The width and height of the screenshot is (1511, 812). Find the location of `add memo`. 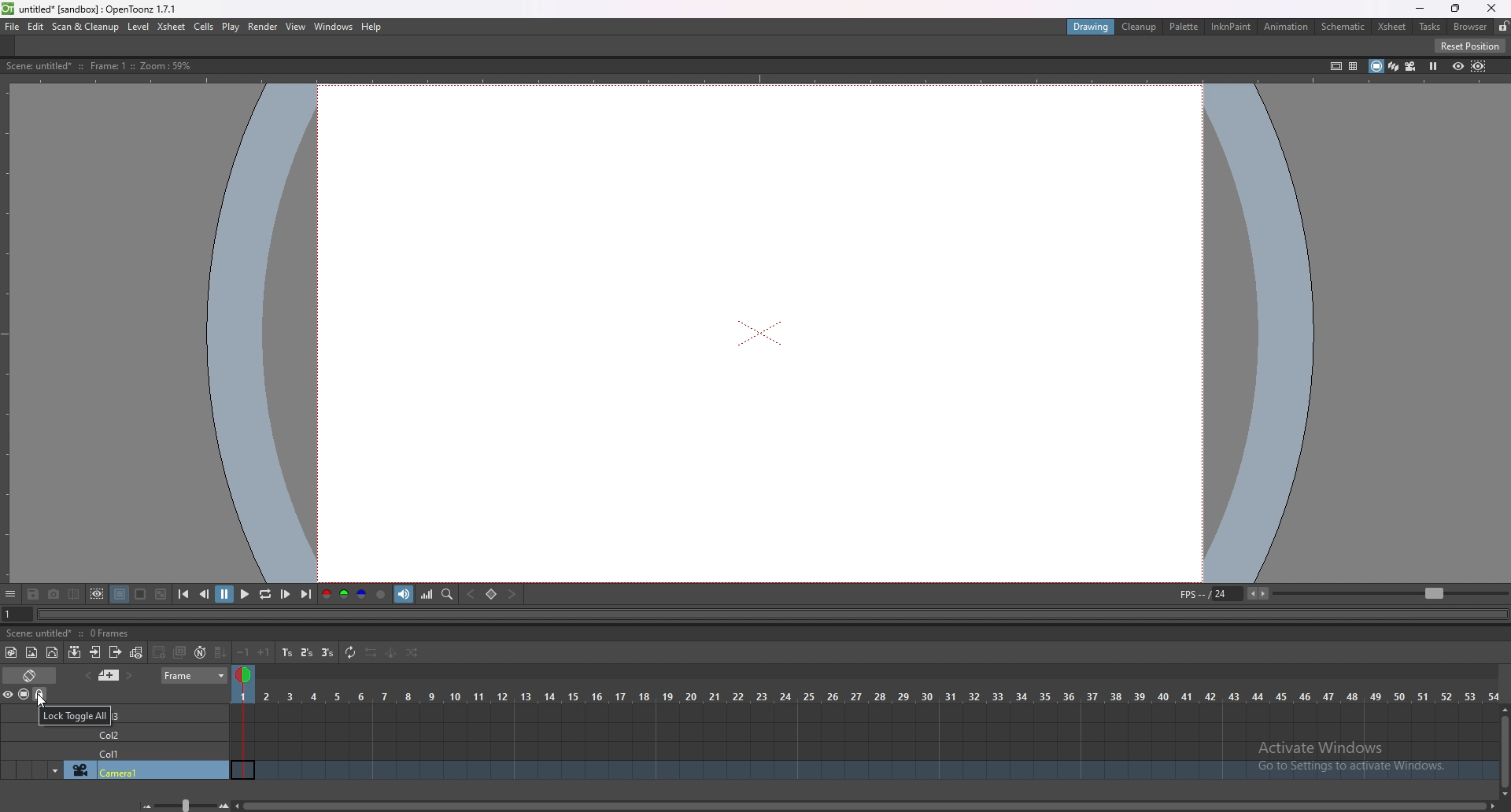

add memo is located at coordinates (109, 675).